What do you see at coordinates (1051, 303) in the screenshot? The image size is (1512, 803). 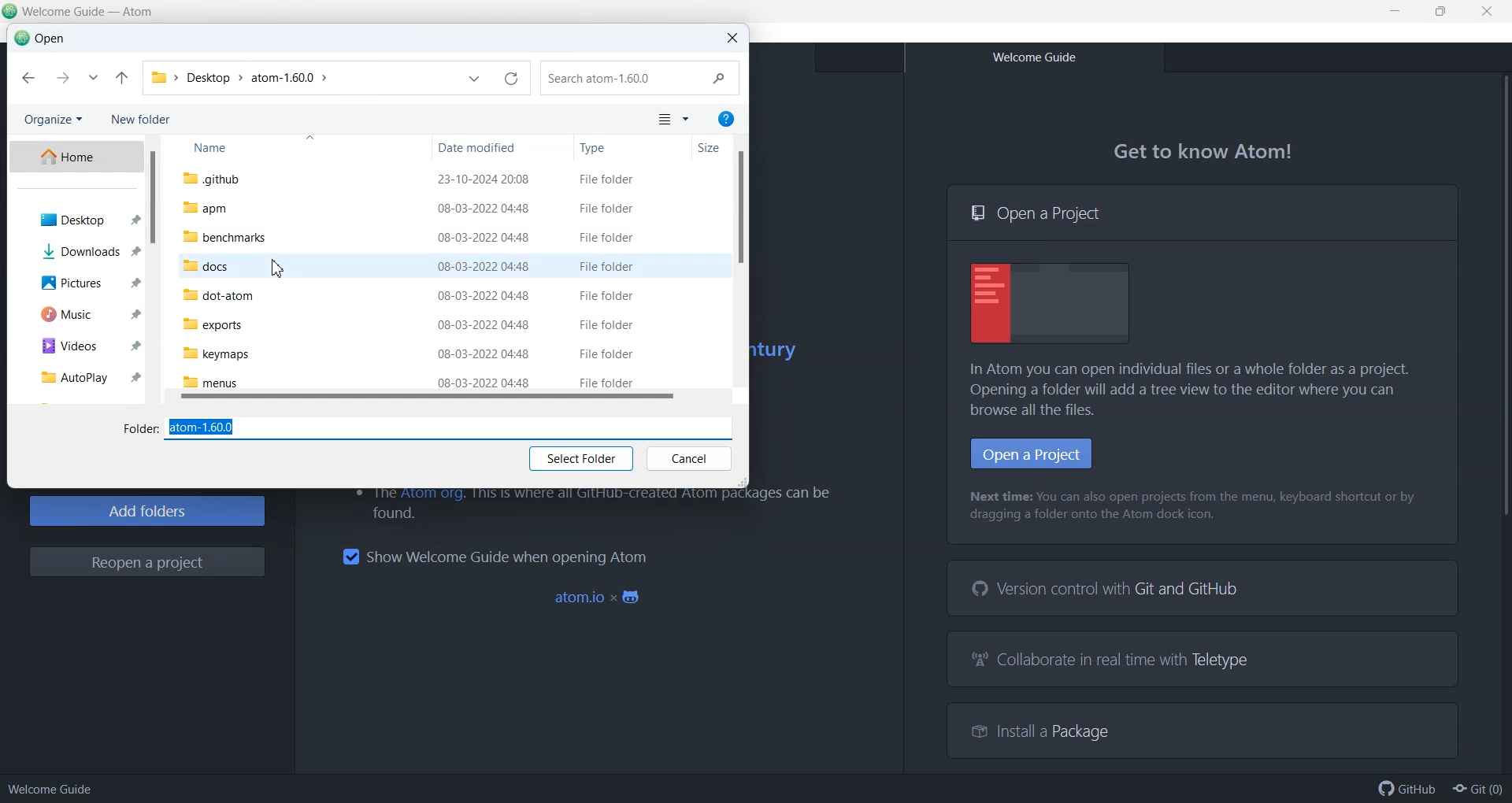 I see `Display` at bounding box center [1051, 303].